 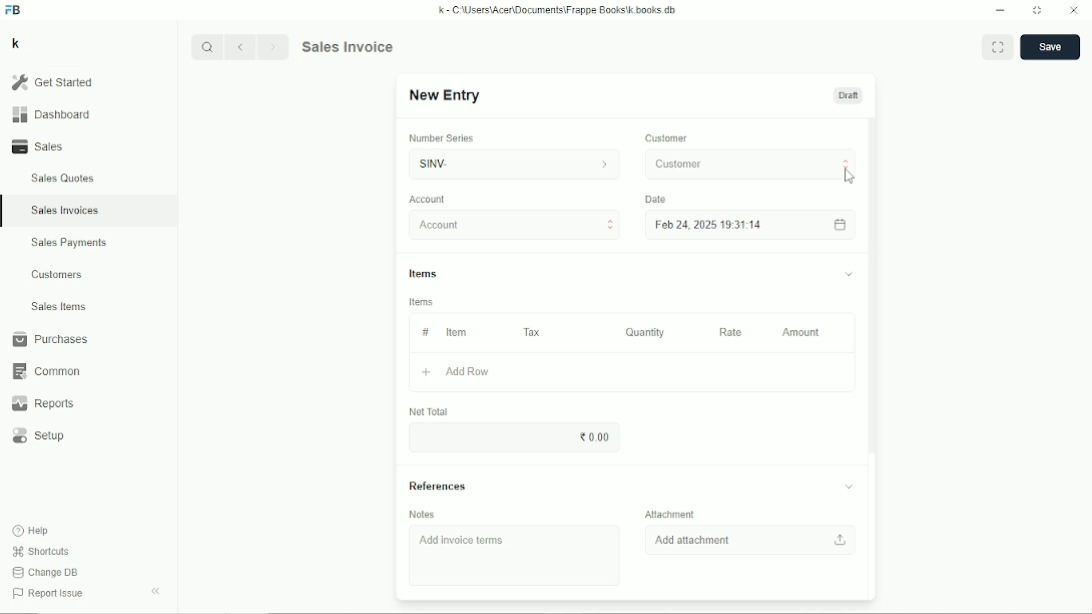 What do you see at coordinates (516, 225) in the screenshot?
I see `Account` at bounding box center [516, 225].